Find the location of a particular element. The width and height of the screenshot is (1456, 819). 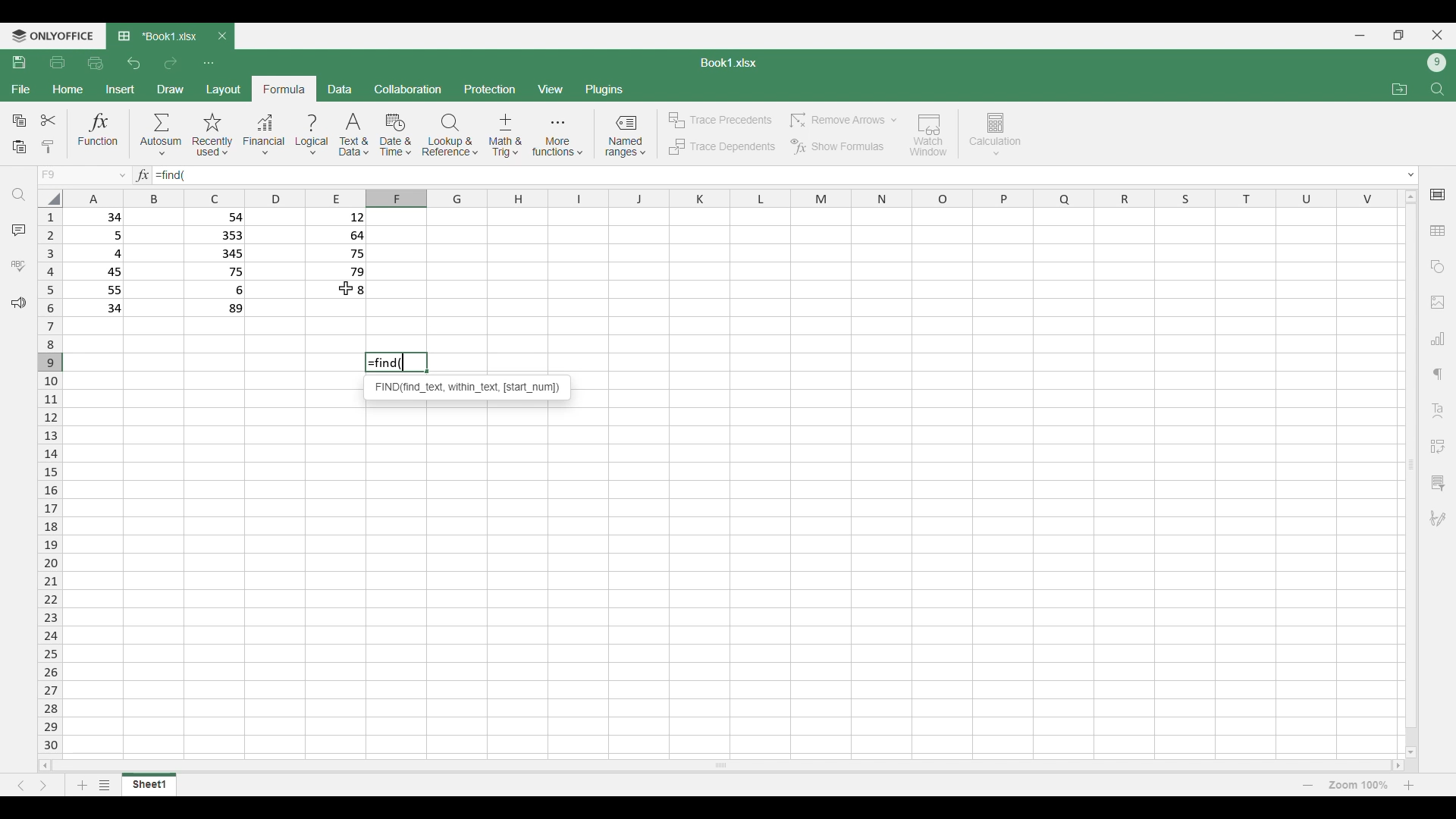

Software logo and name is located at coordinates (52, 36).